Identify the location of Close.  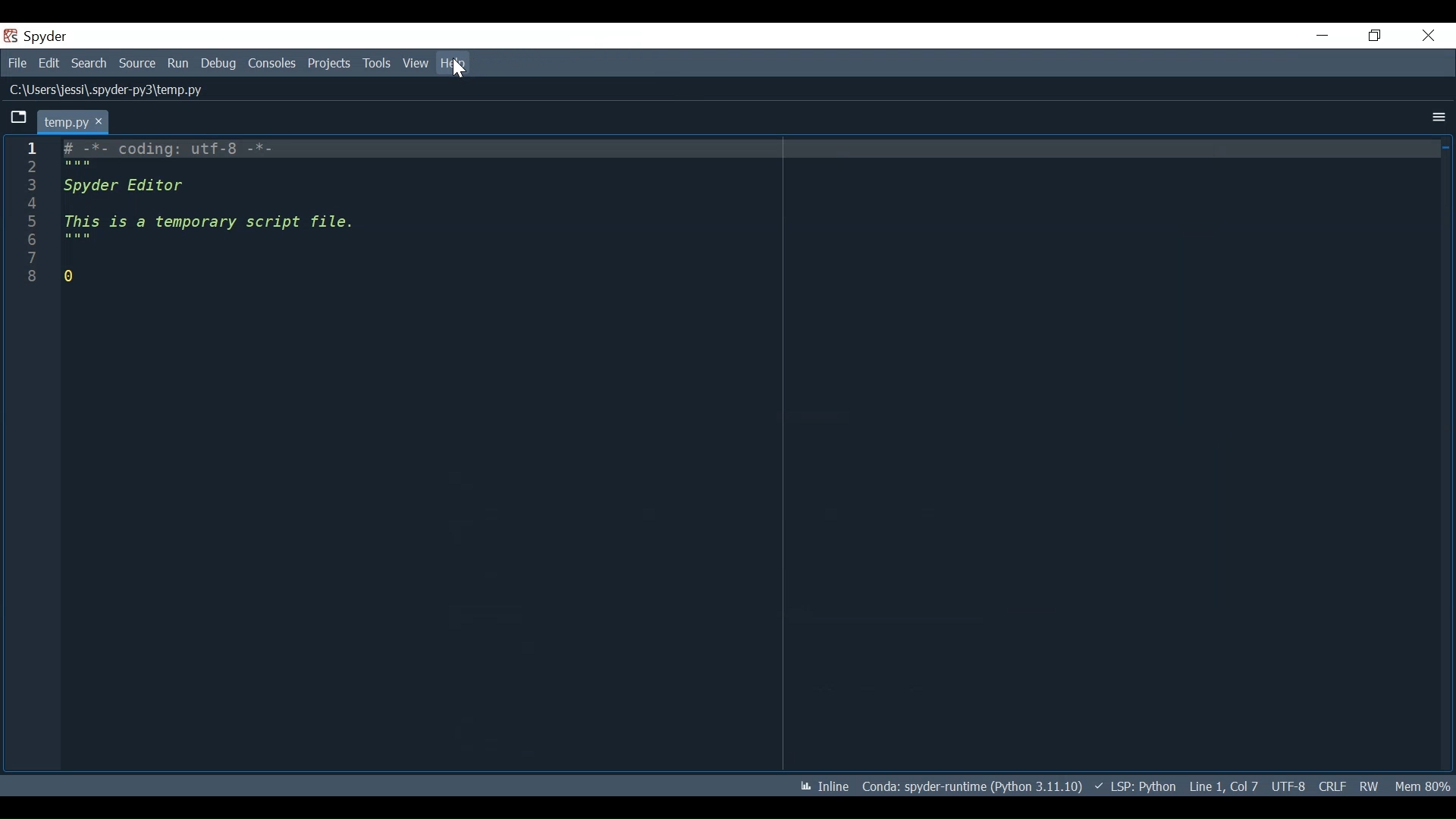
(1428, 36).